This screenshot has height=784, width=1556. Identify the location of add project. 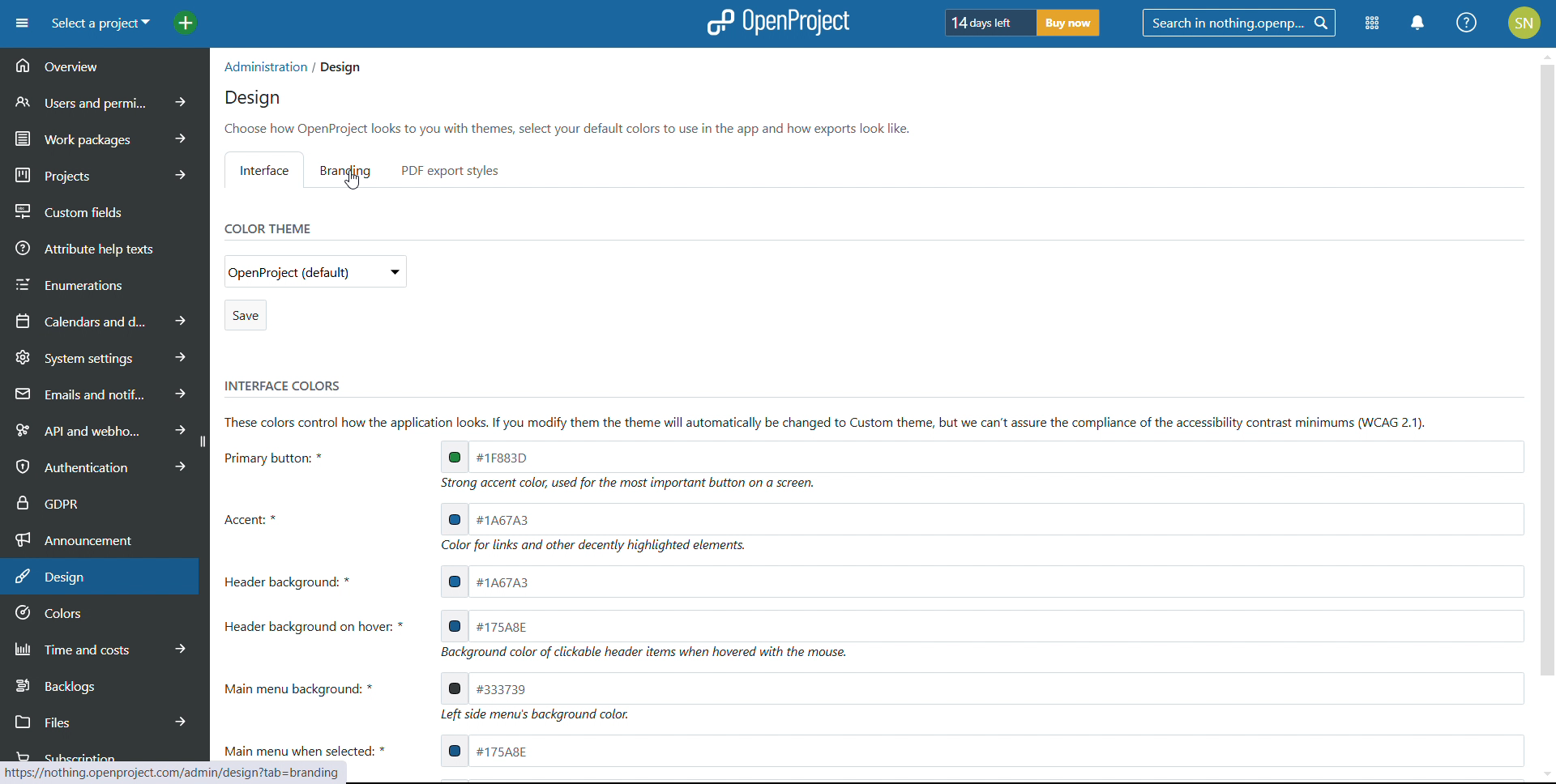
(186, 23).